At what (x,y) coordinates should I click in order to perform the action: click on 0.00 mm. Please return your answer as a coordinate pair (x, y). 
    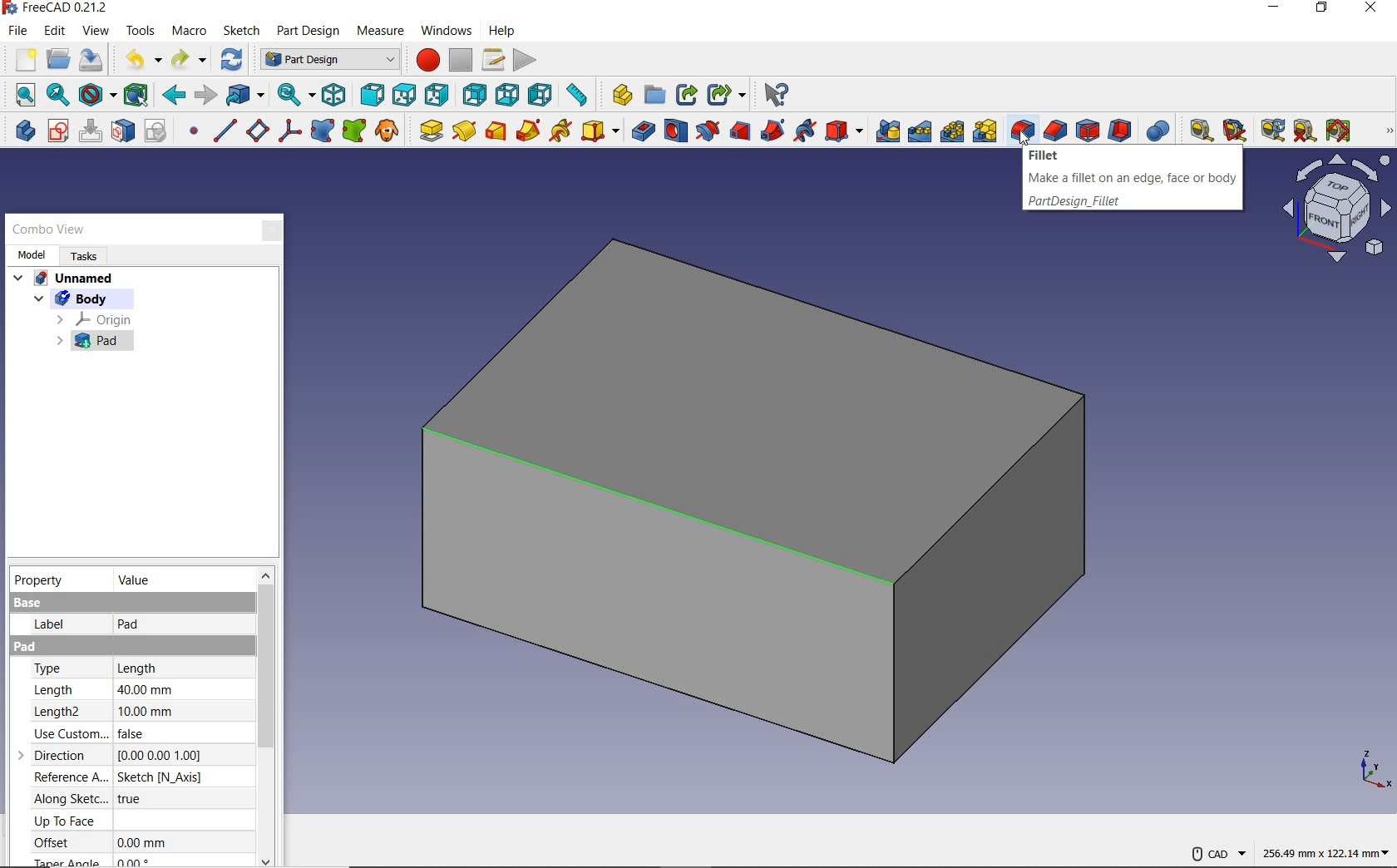
    Looking at the image, I should click on (141, 842).